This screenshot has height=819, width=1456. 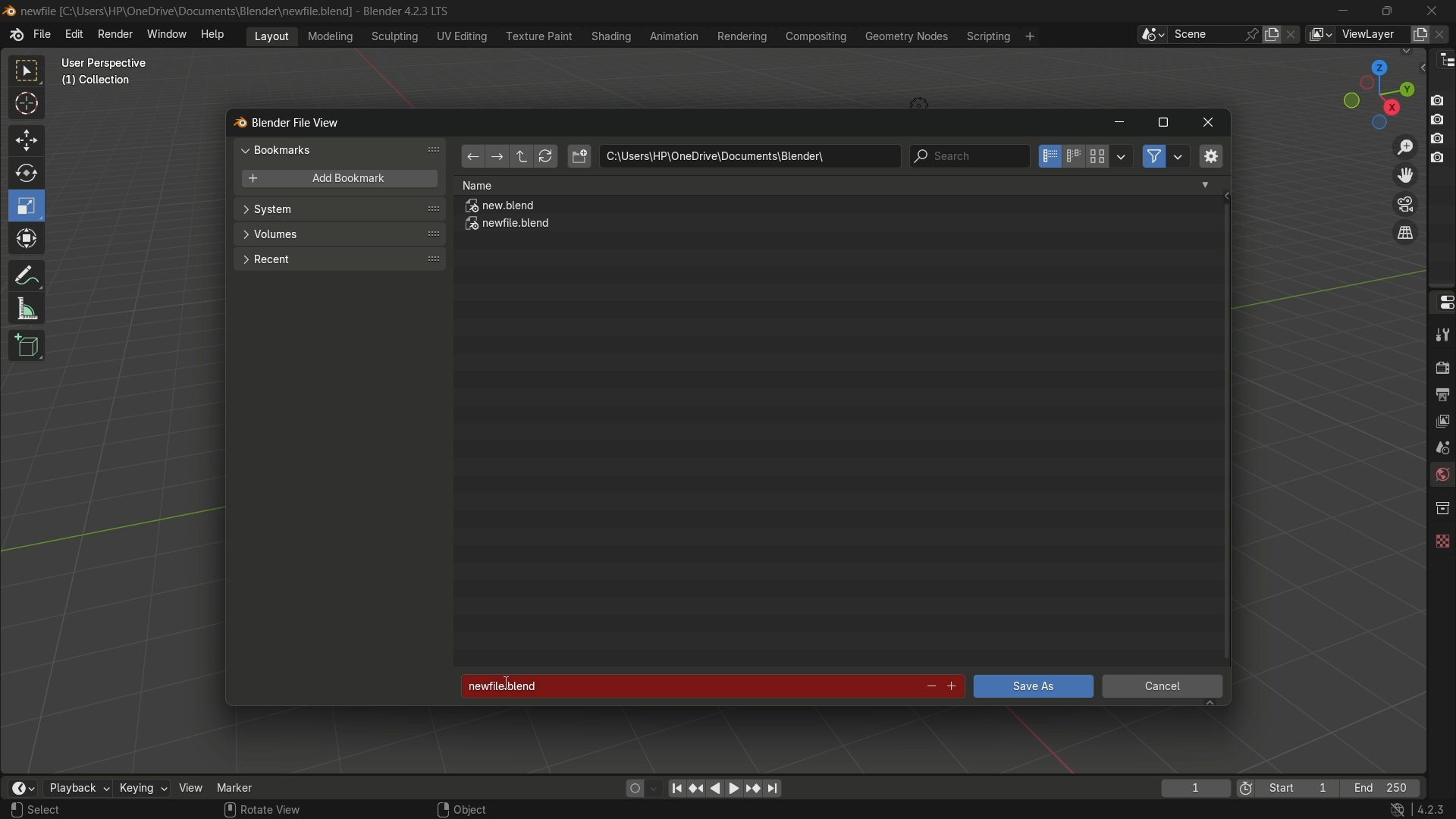 I want to click on properties, so click(x=1441, y=301).